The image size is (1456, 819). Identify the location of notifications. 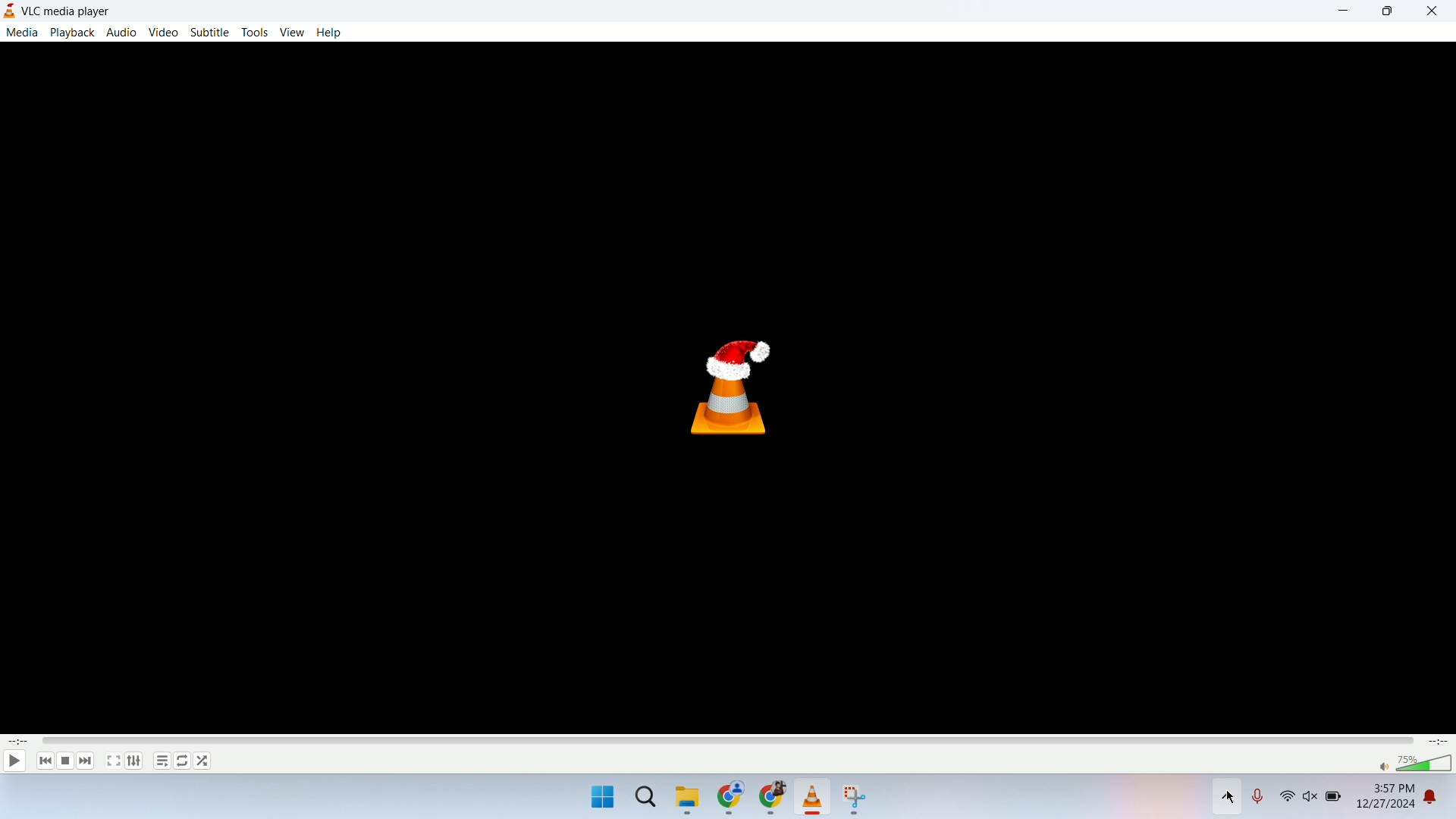
(1441, 800).